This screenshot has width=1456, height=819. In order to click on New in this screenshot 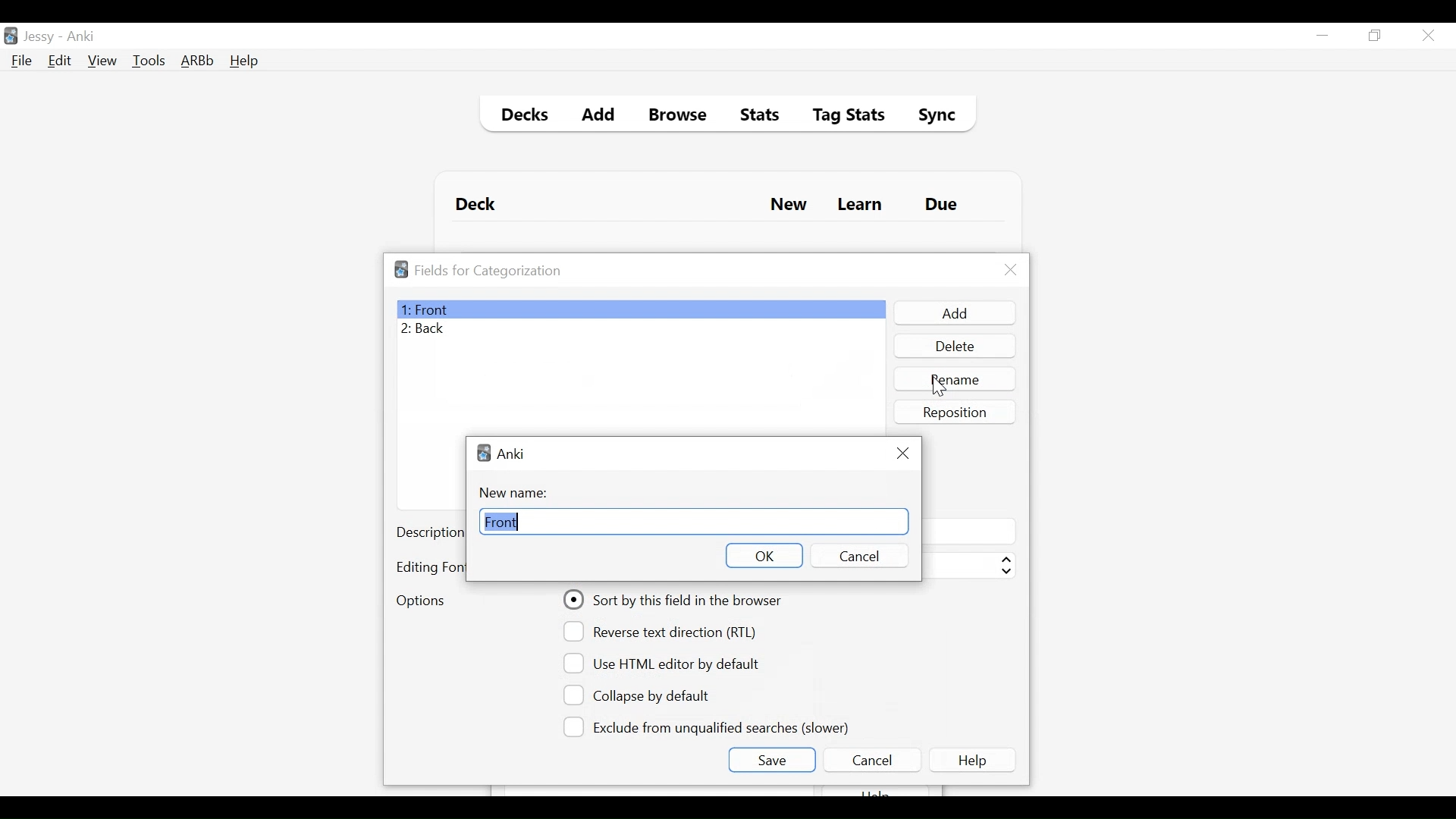, I will do `click(789, 206)`.